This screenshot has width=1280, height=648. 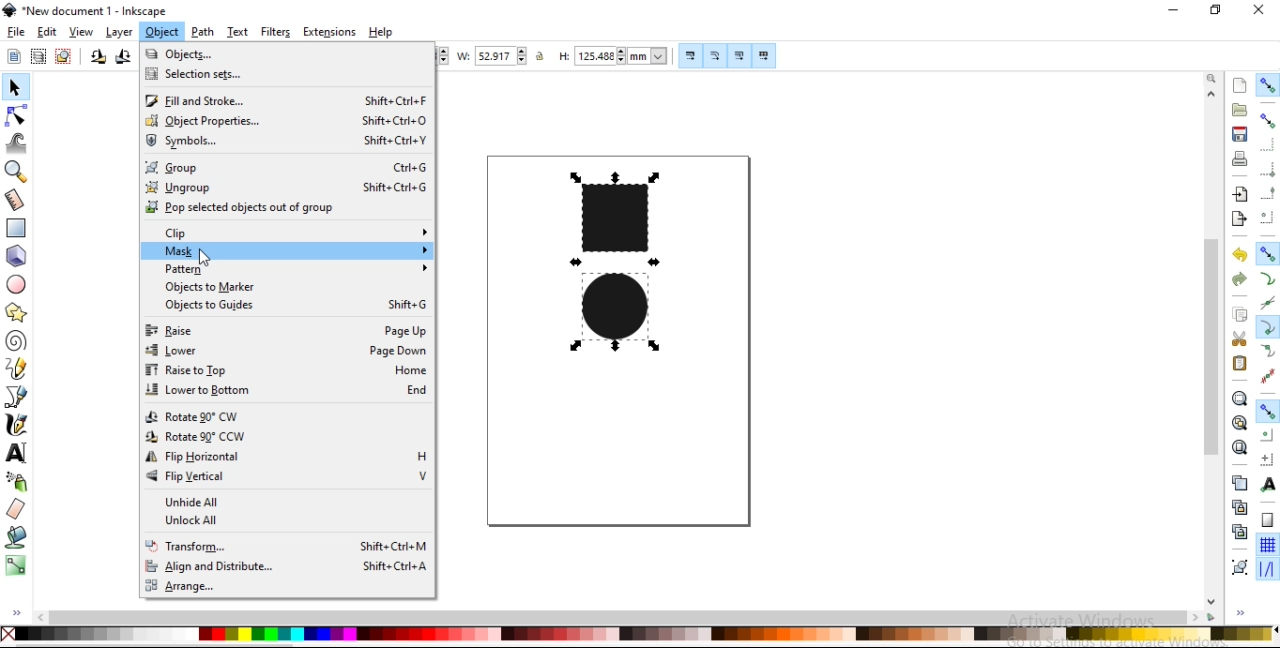 I want to click on create stars and polygons, so click(x=18, y=312).